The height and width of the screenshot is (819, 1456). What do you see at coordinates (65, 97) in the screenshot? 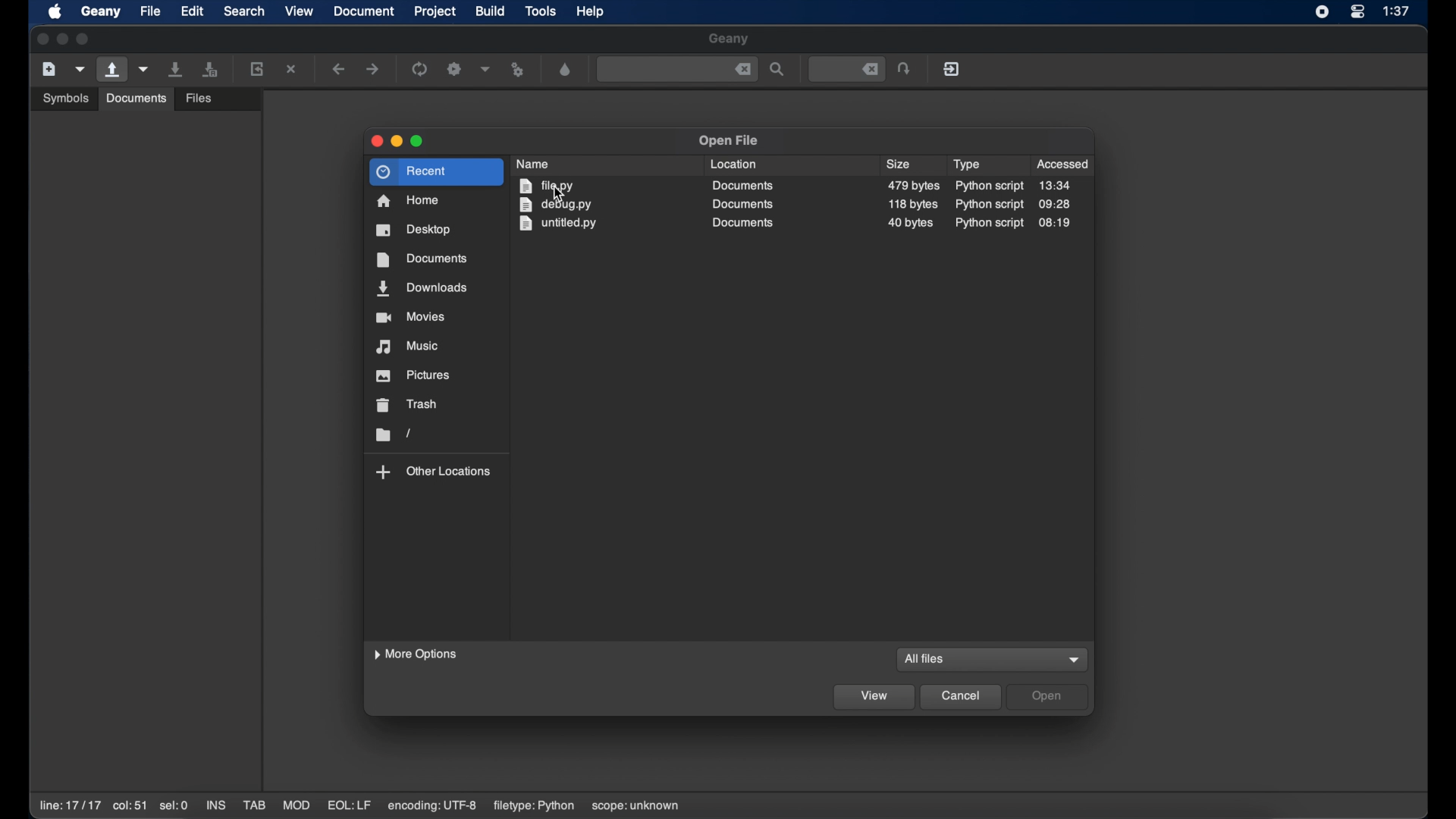
I see `symbols` at bounding box center [65, 97].